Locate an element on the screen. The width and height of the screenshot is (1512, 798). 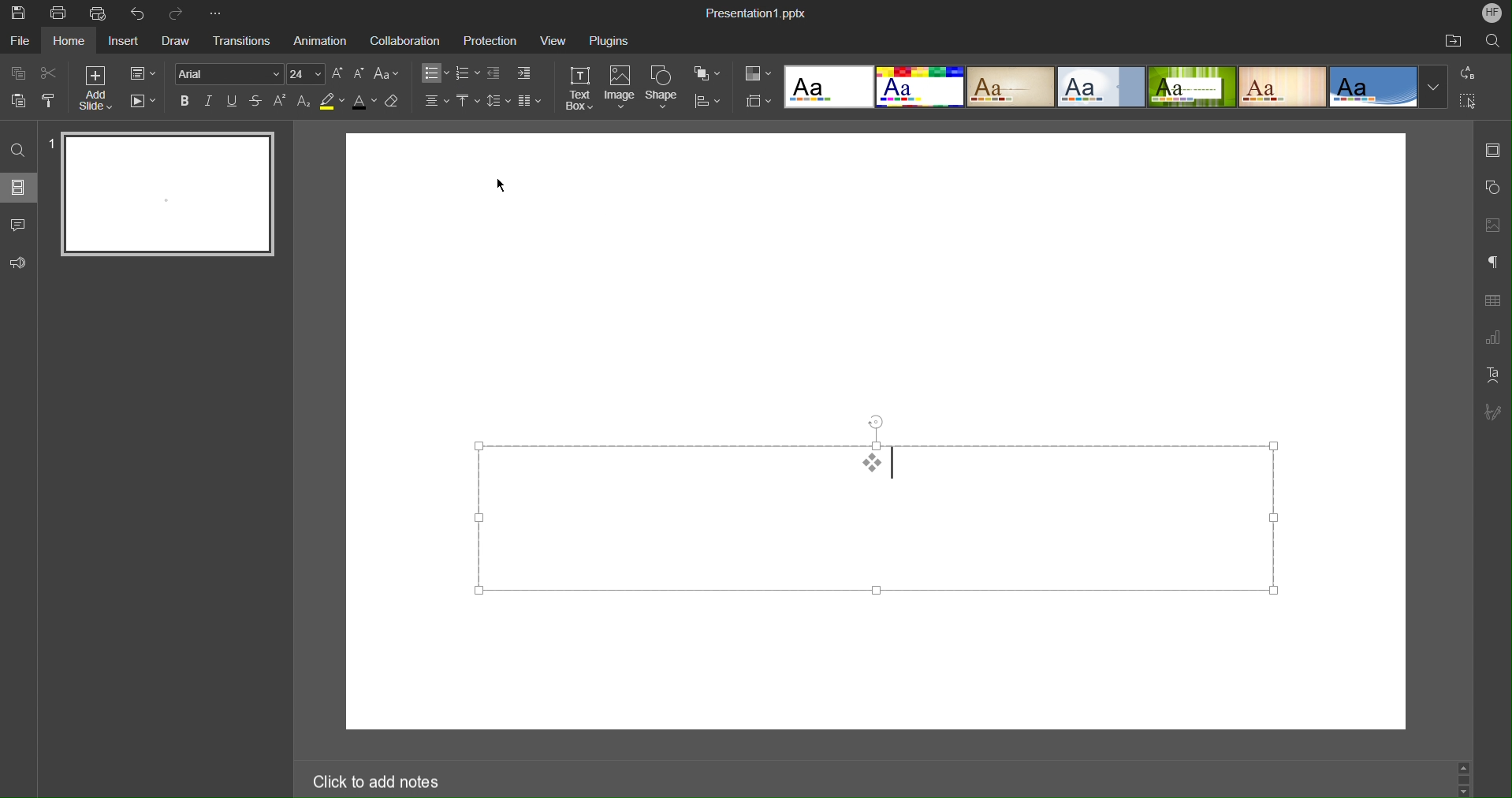
Cut is located at coordinates (49, 73).